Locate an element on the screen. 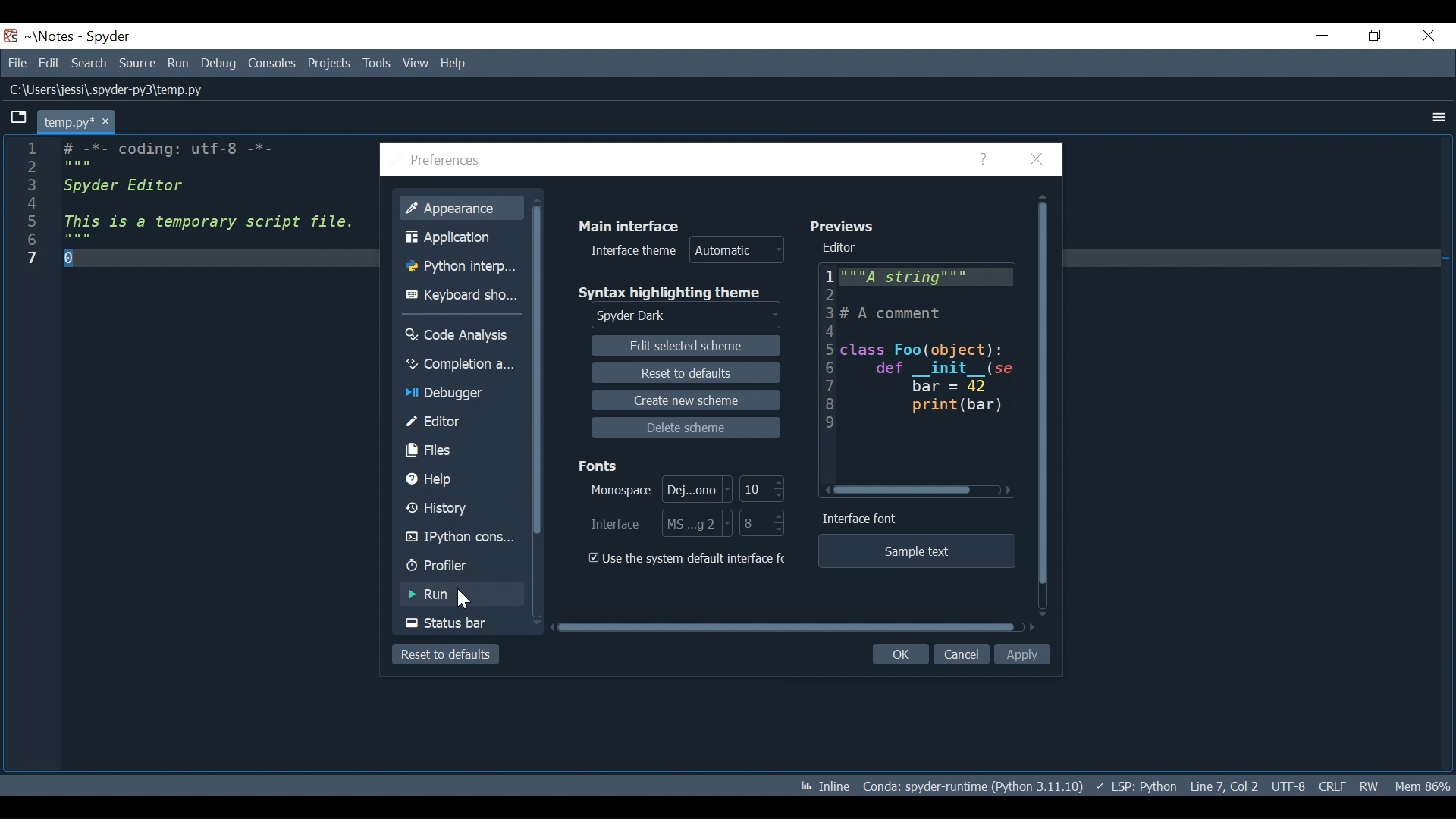  Select Monospace Font is located at coordinates (661, 491).